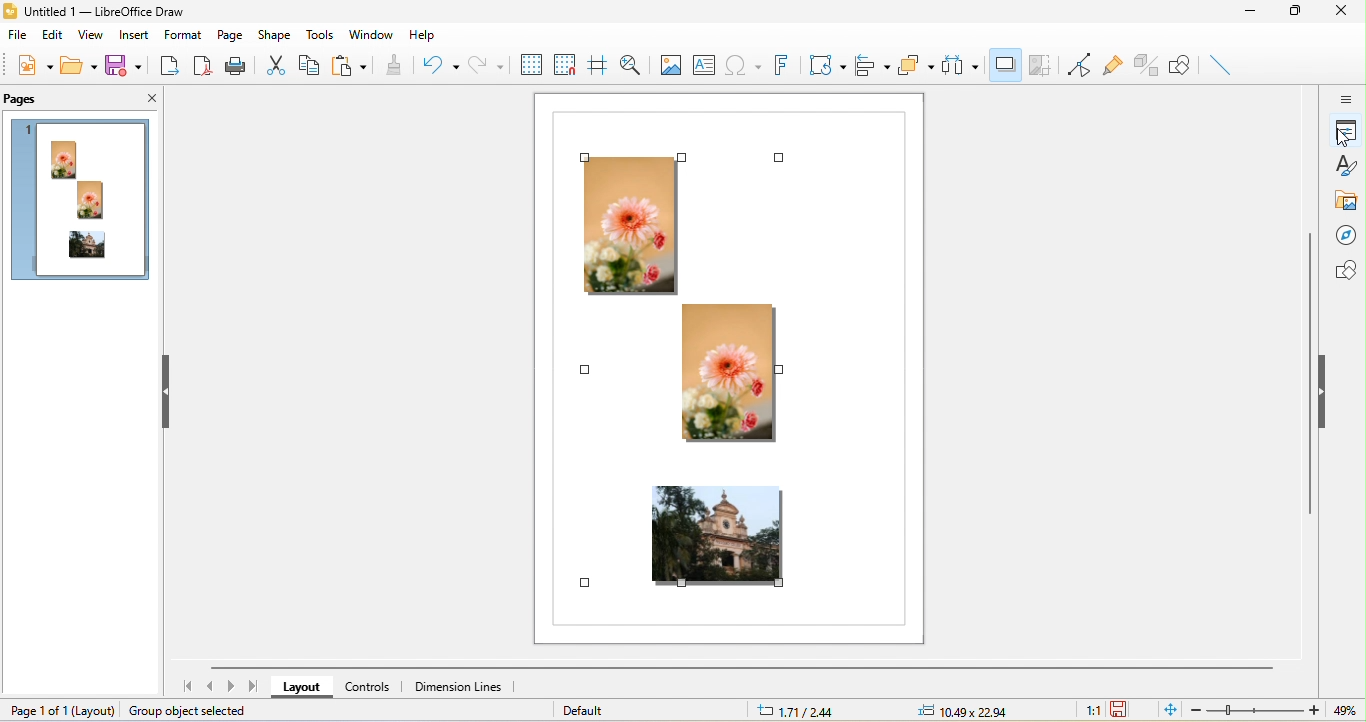 This screenshot has height=722, width=1366. What do you see at coordinates (801, 711) in the screenshot?
I see `1.71/2.44` at bounding box center [801, 711].